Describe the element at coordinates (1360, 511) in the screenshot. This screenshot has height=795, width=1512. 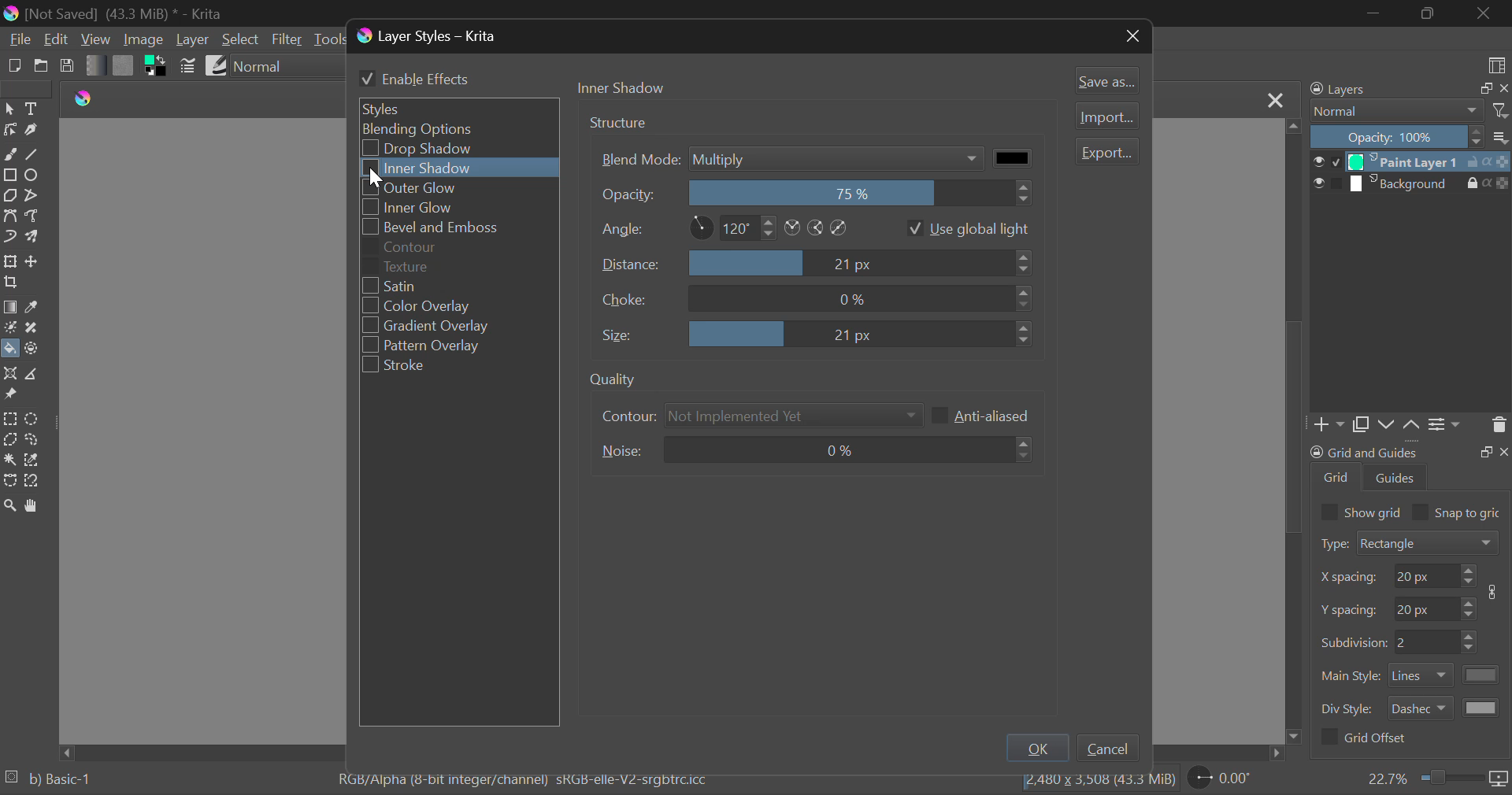
I see `Show grid` at that location.